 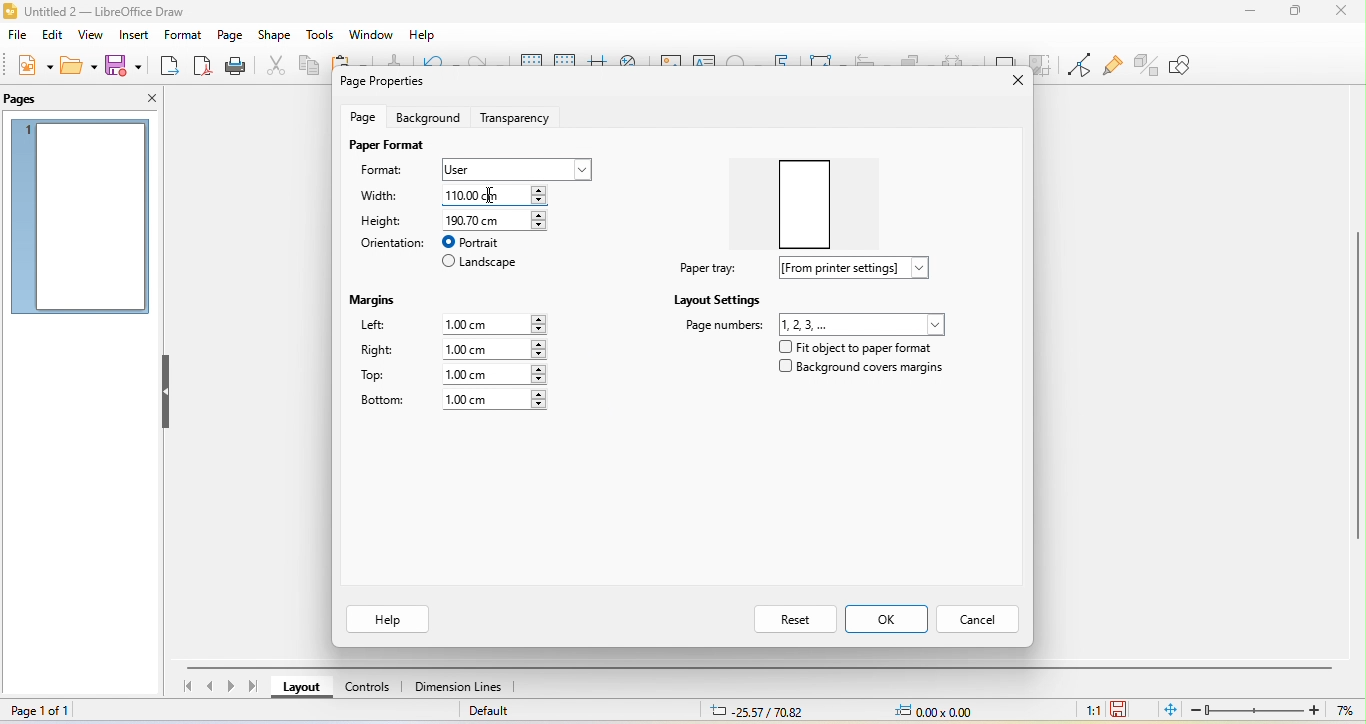 What do you see at coordinates (483, 242) in the screenshot?
I see `portrait` at bounding box center [483, 242].